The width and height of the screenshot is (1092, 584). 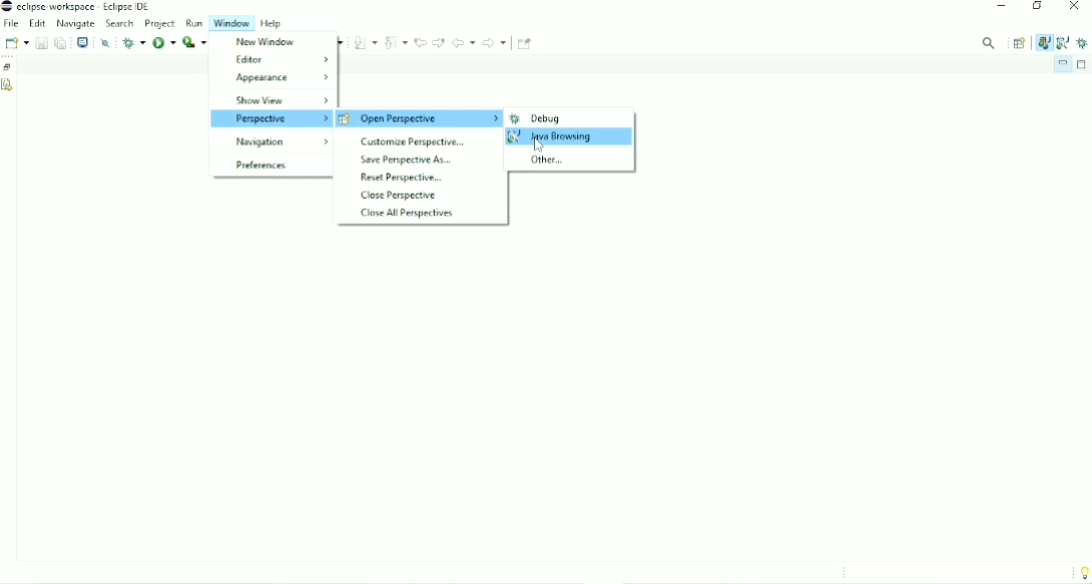 What do you see at coordinates (281, 78) in the screenshot?
I see `Appearance` at bounding box center [281, 78].